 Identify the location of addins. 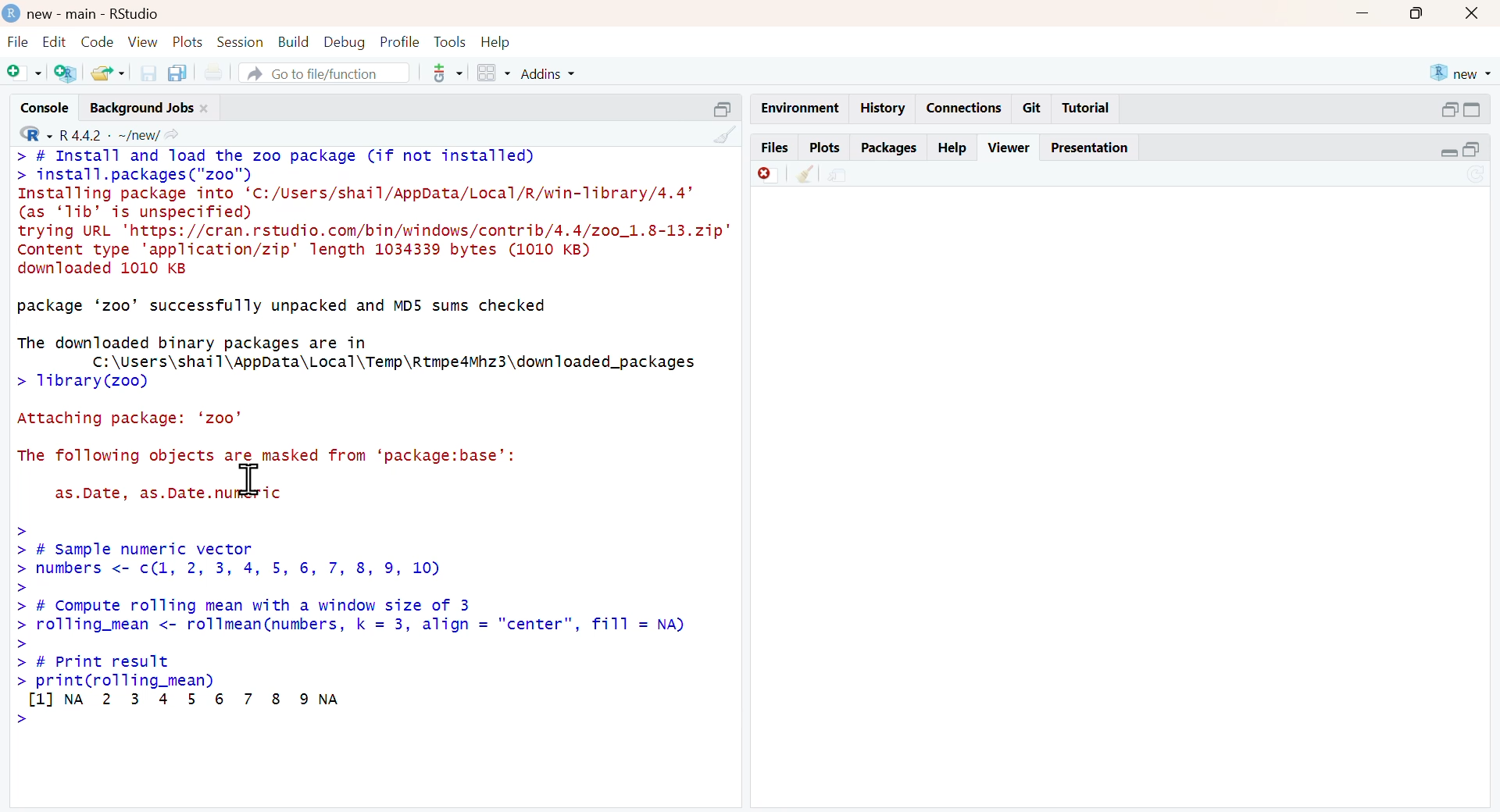
(551, 73).